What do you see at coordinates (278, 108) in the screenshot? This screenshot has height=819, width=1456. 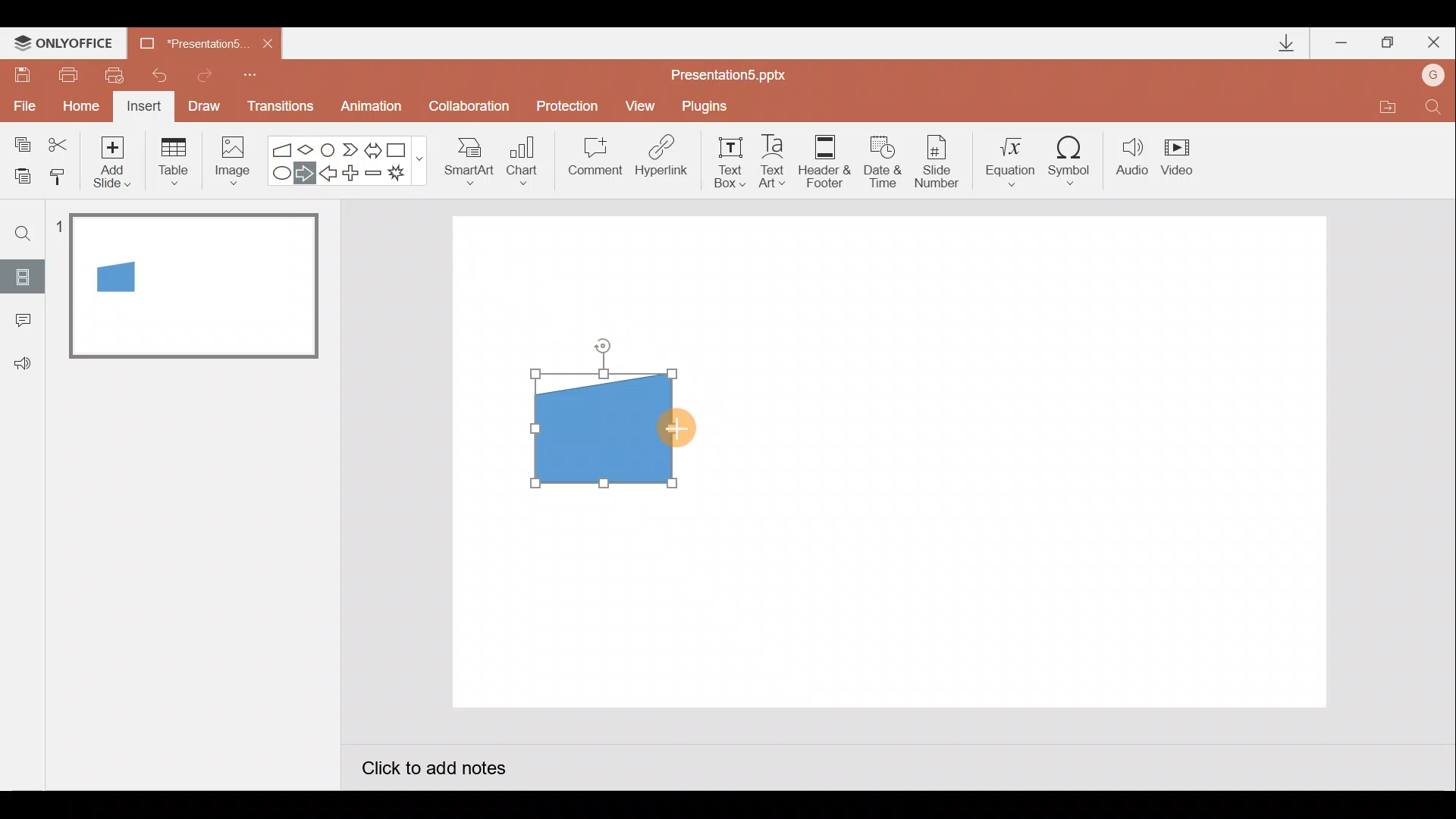 I see `Transitions` at bounding box center [278, 108].